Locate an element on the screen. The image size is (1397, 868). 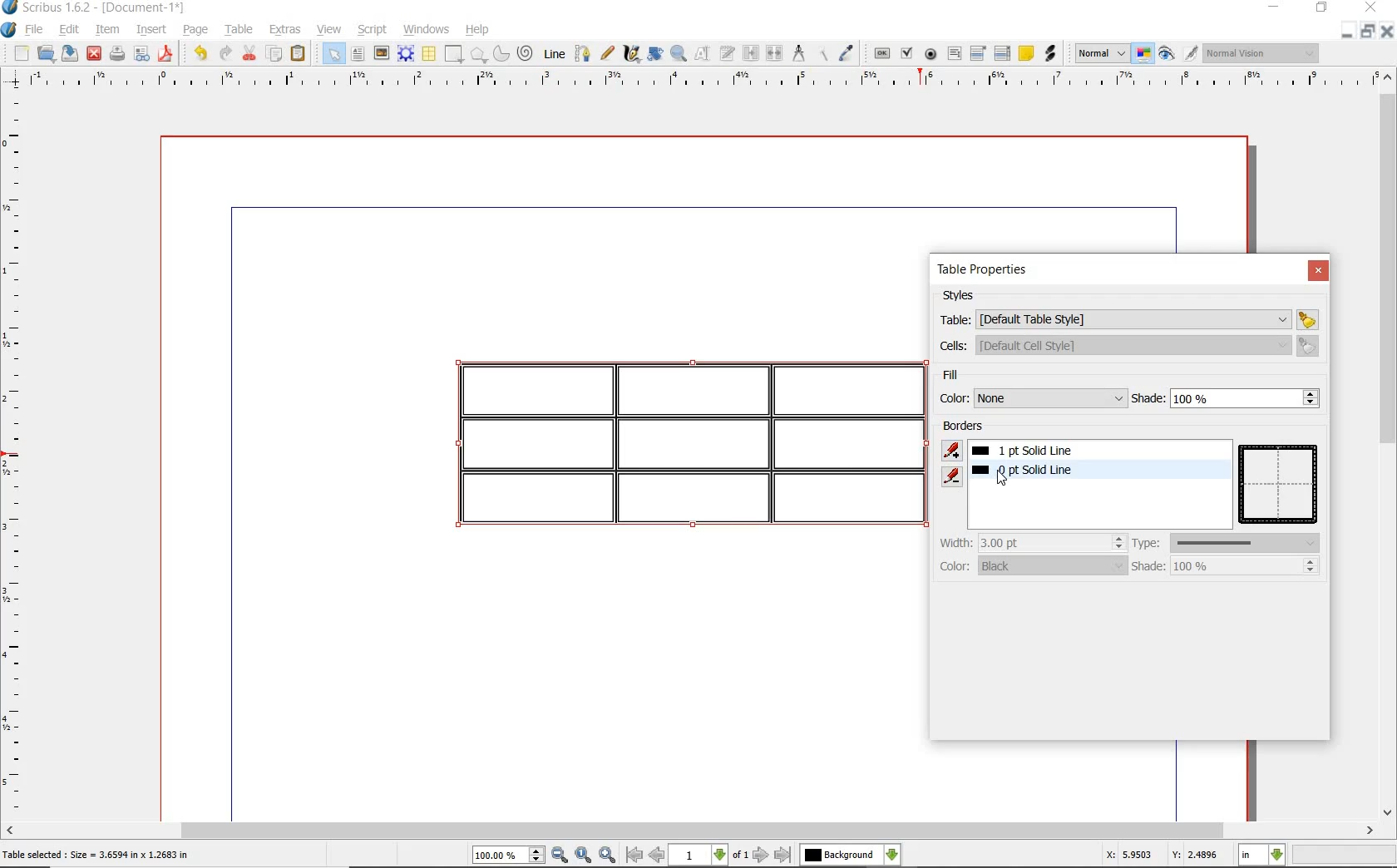
zoom in and out is located at coordinates (679, 54).